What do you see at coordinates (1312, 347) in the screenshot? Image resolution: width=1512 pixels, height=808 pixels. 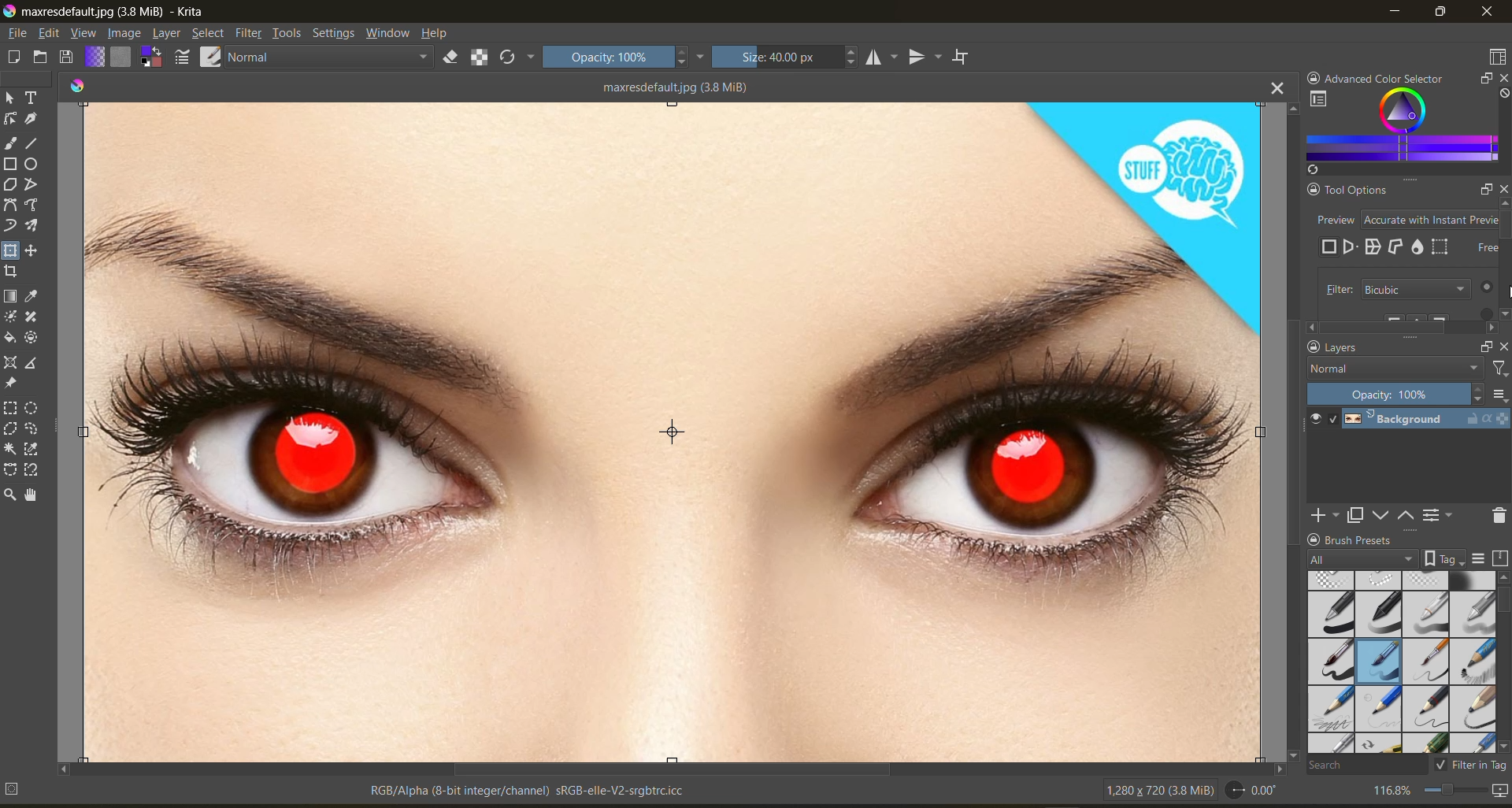 I see `lock docker` at bounding box center [1312, 347].